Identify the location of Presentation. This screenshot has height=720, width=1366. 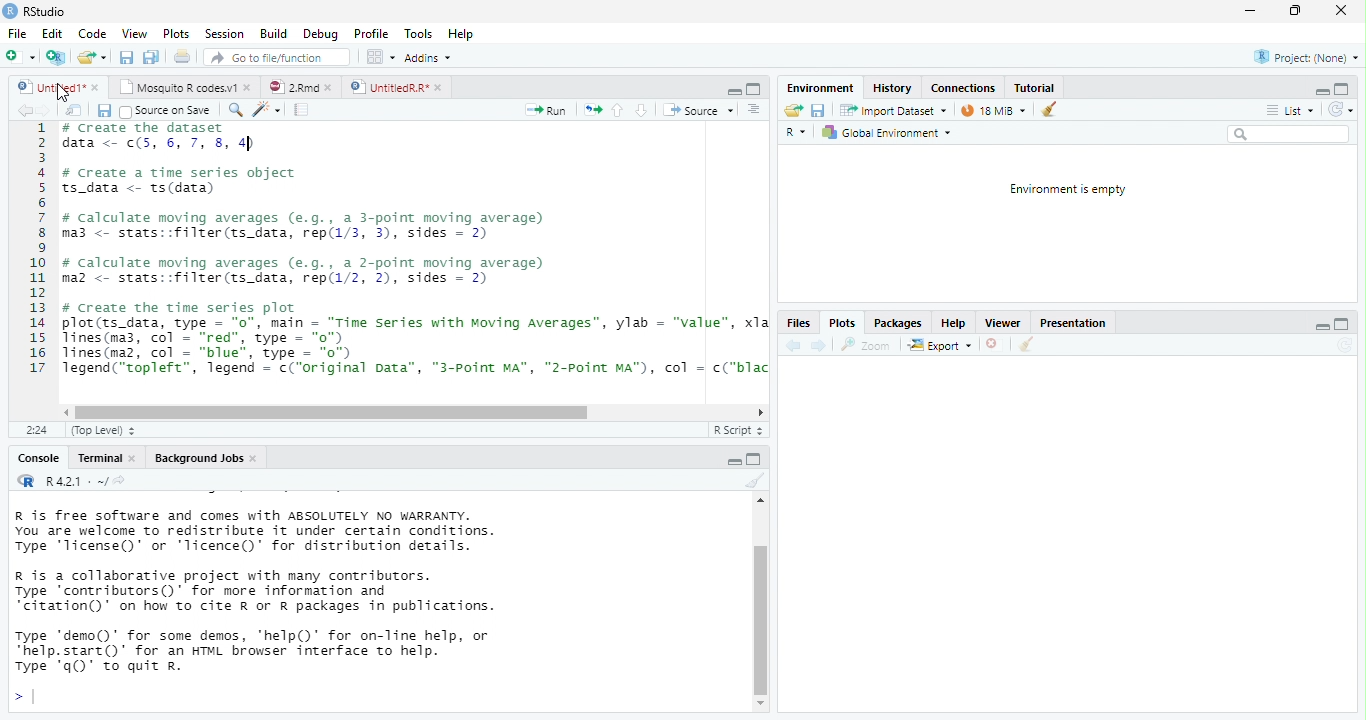
(1071, 325).